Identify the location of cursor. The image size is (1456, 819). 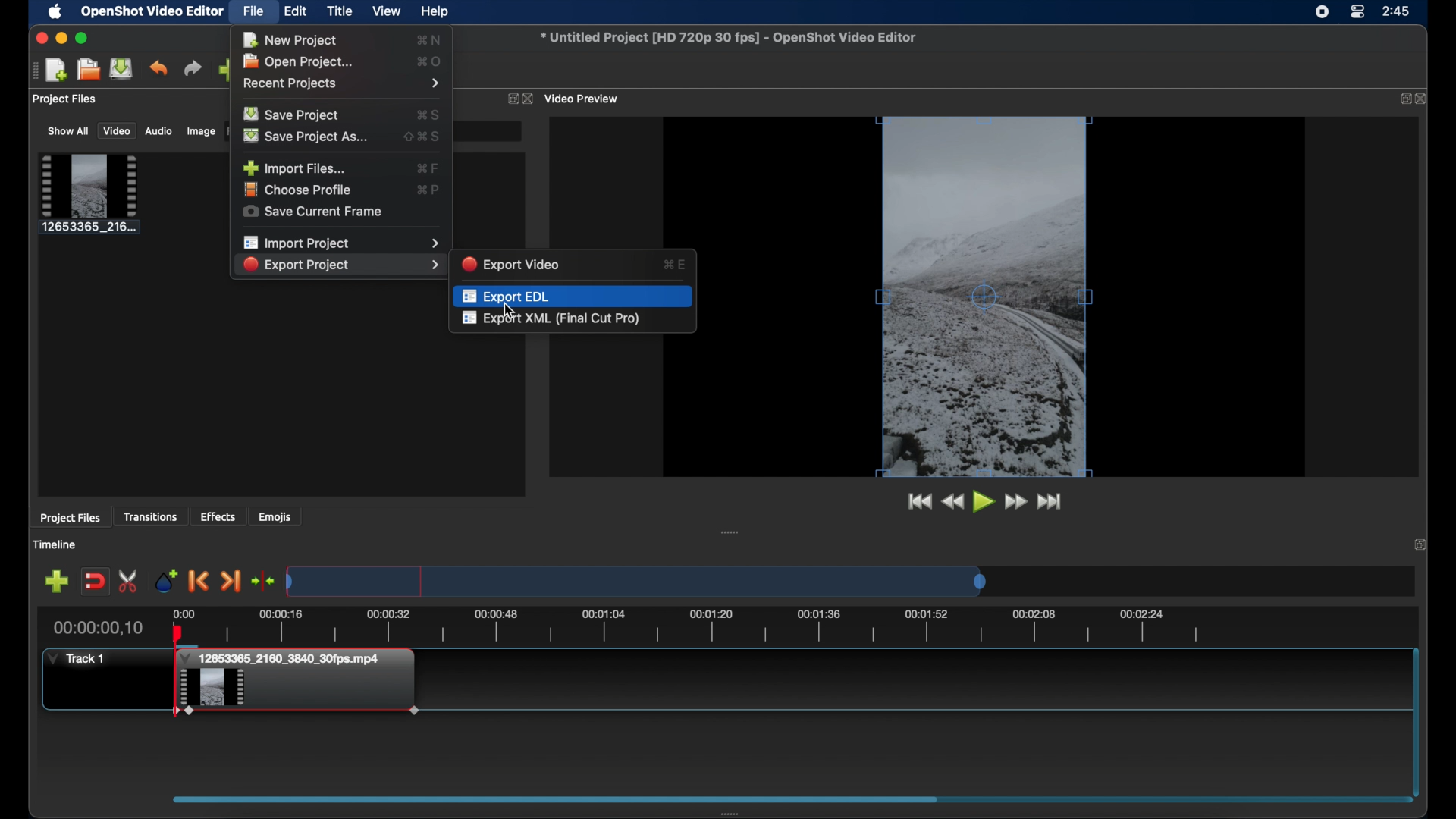
(508, 310).